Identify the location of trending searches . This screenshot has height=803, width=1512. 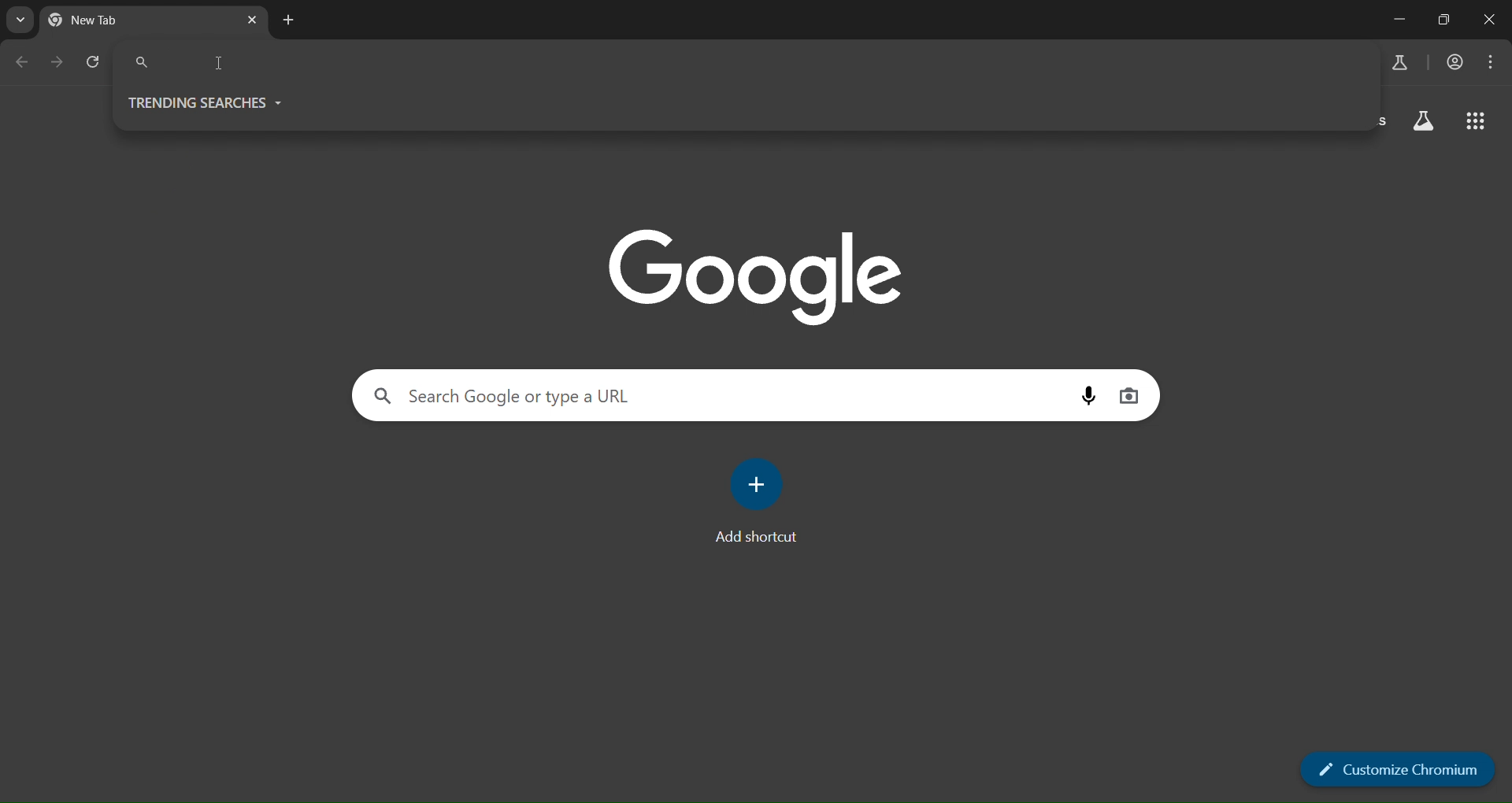
(221, 105).